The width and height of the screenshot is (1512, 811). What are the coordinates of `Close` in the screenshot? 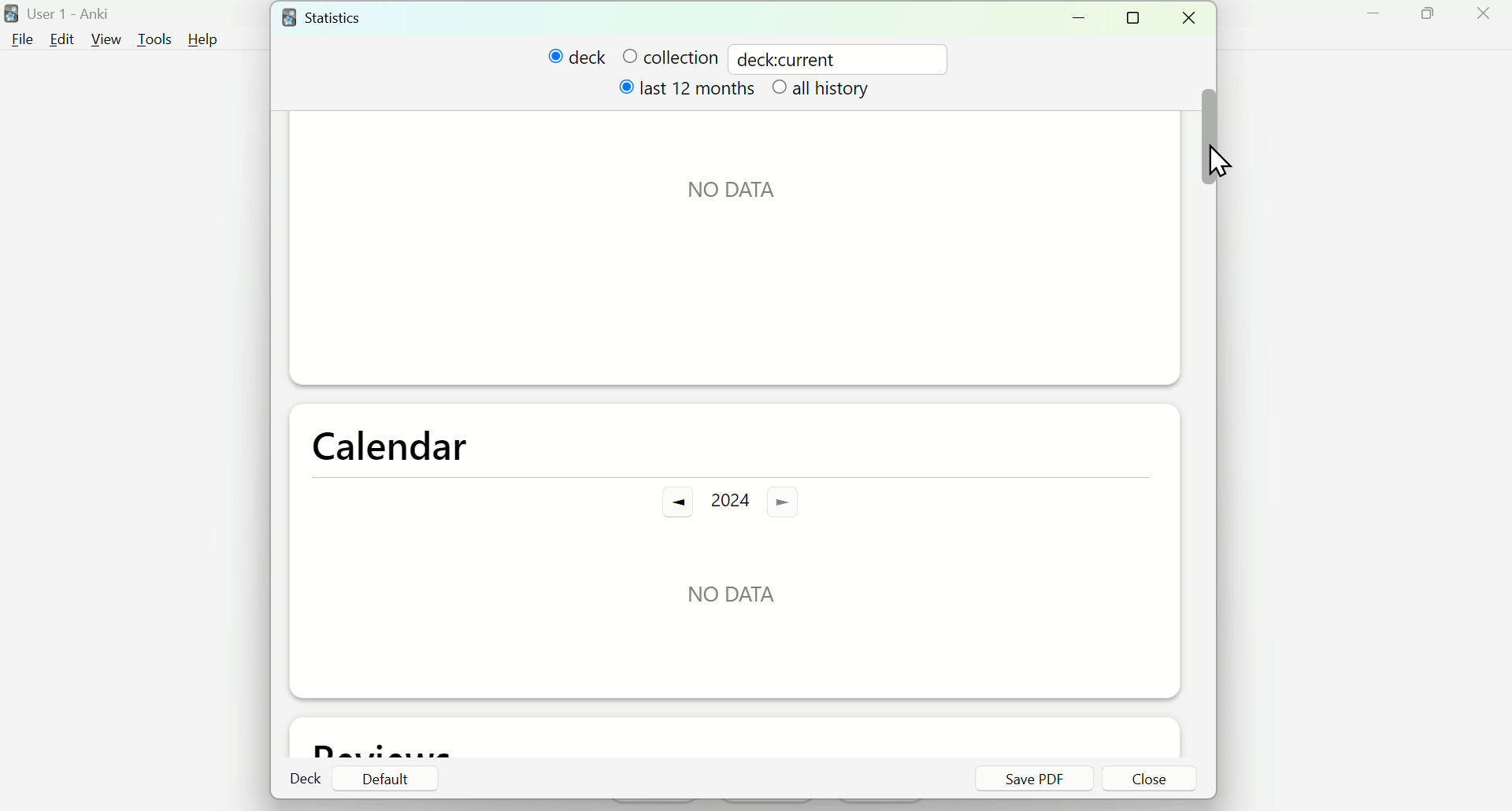 It's located at (1486, 19).